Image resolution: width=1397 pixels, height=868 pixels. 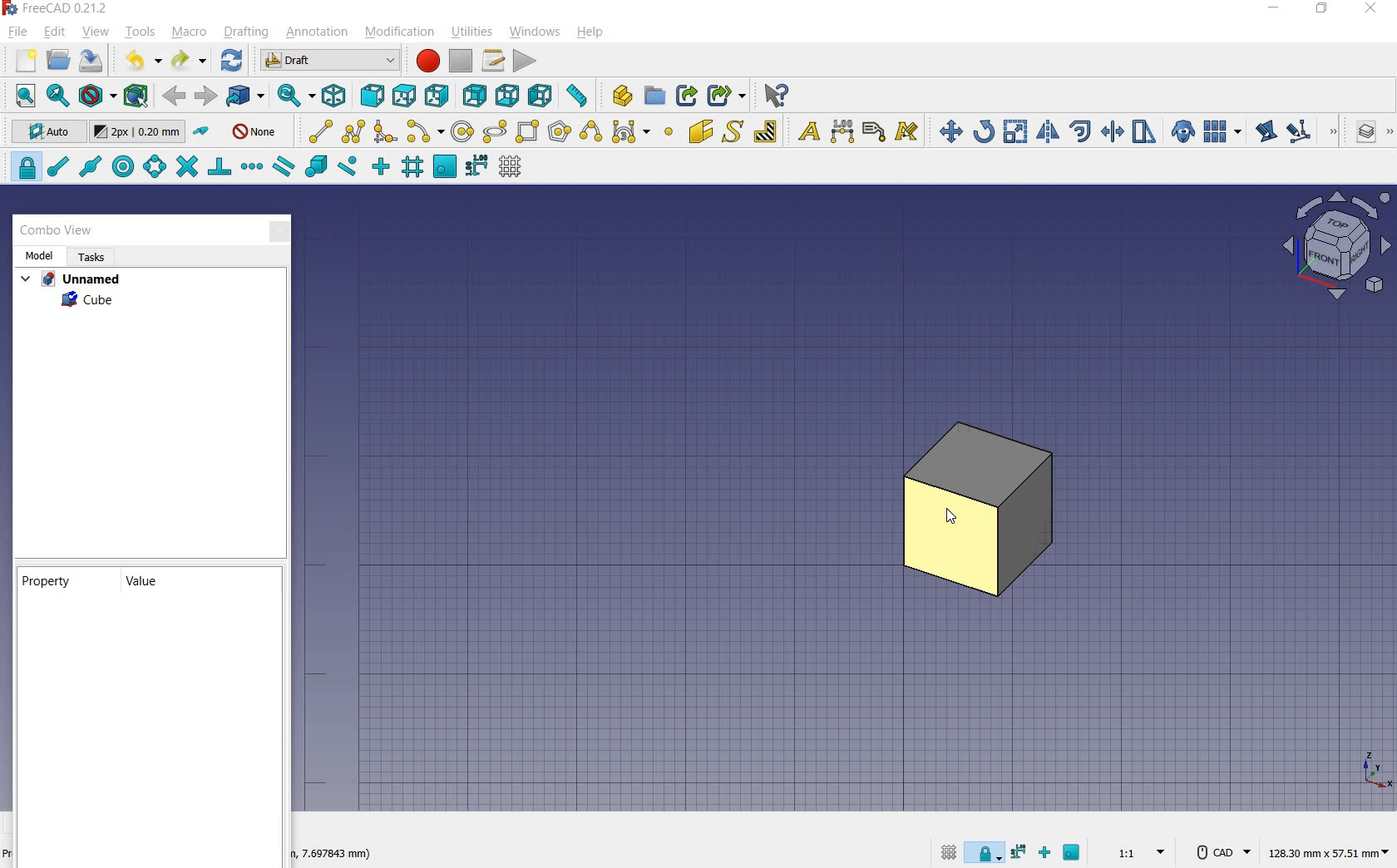 I want to click on clone, so click(x=1183, y=132).